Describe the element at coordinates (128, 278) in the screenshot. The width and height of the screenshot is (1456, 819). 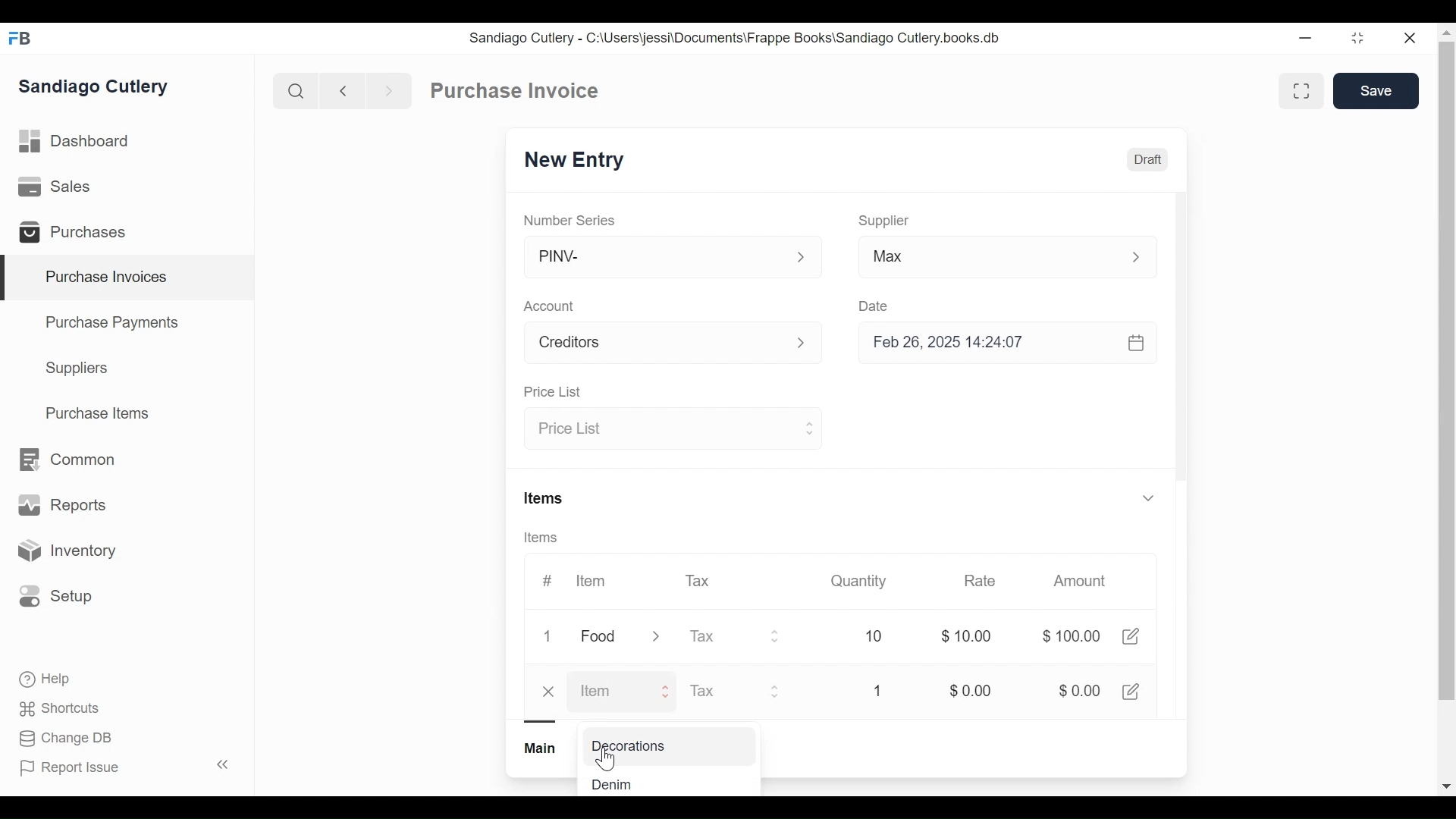
I see `Purchase Invoices` at that location.